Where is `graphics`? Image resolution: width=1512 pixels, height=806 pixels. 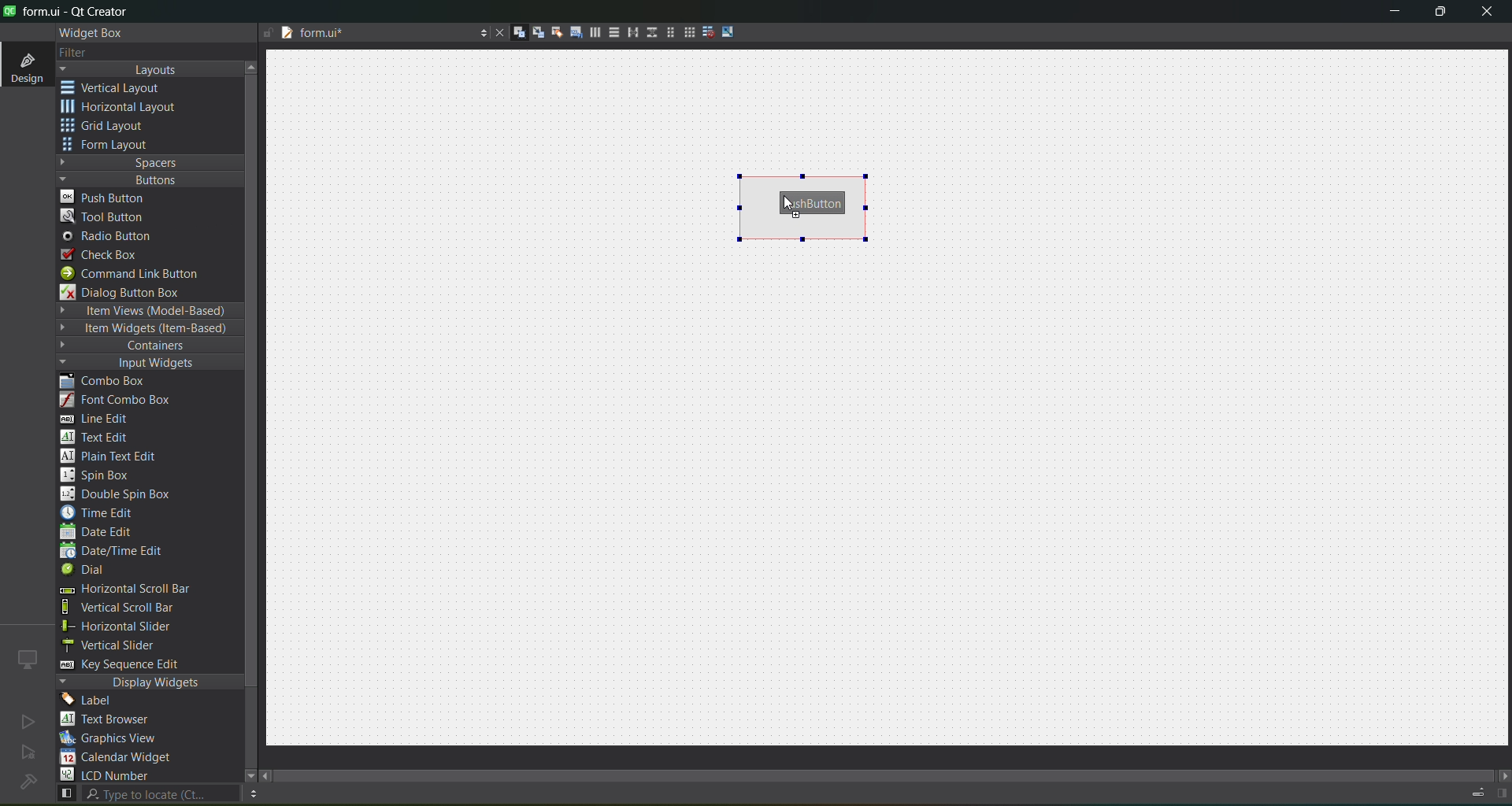 graphics is located at coordinates (115, 738).